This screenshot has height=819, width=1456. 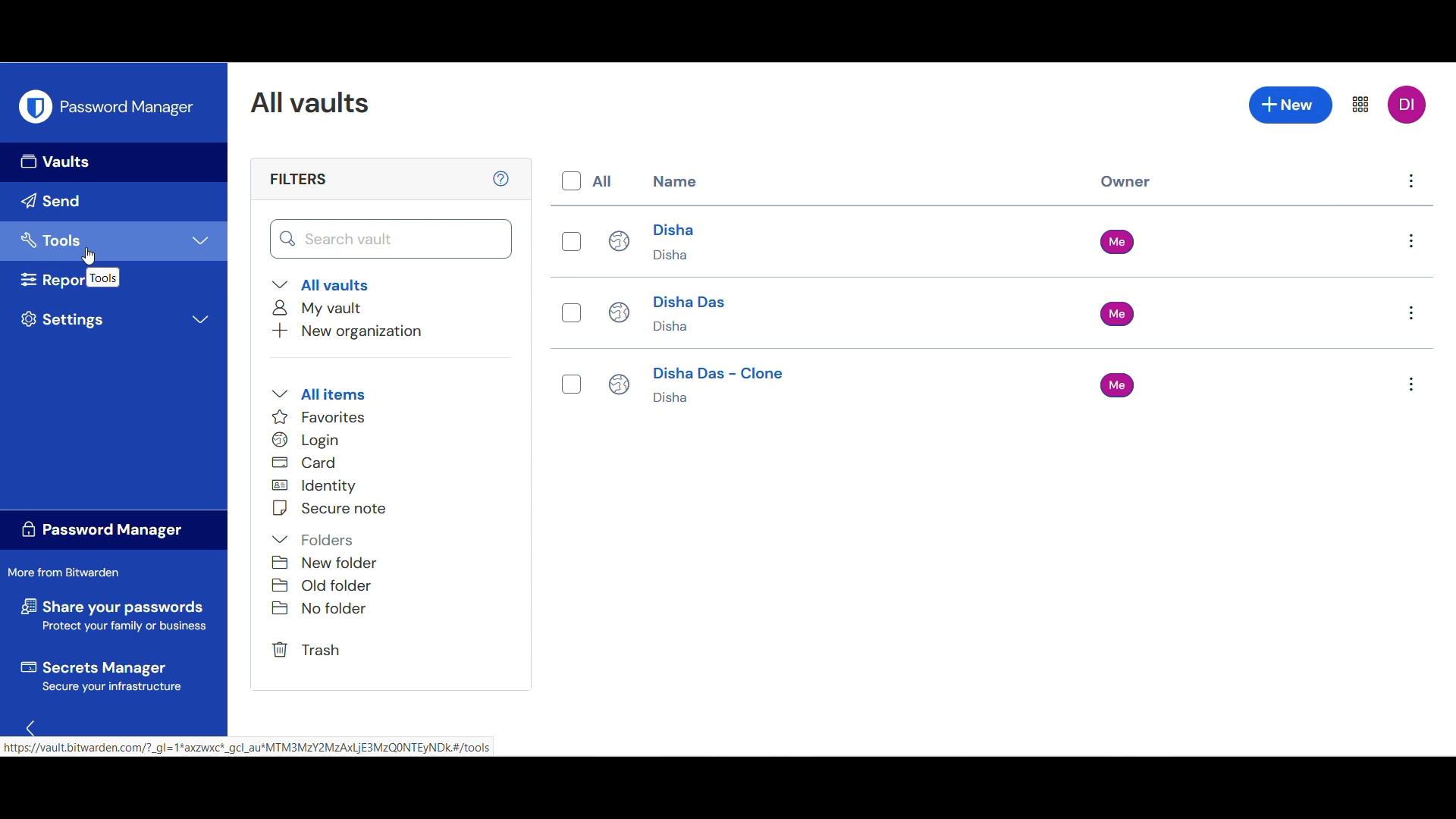 I want to click on Toggle on/off for Disha Das, so click(x=572, y=312).